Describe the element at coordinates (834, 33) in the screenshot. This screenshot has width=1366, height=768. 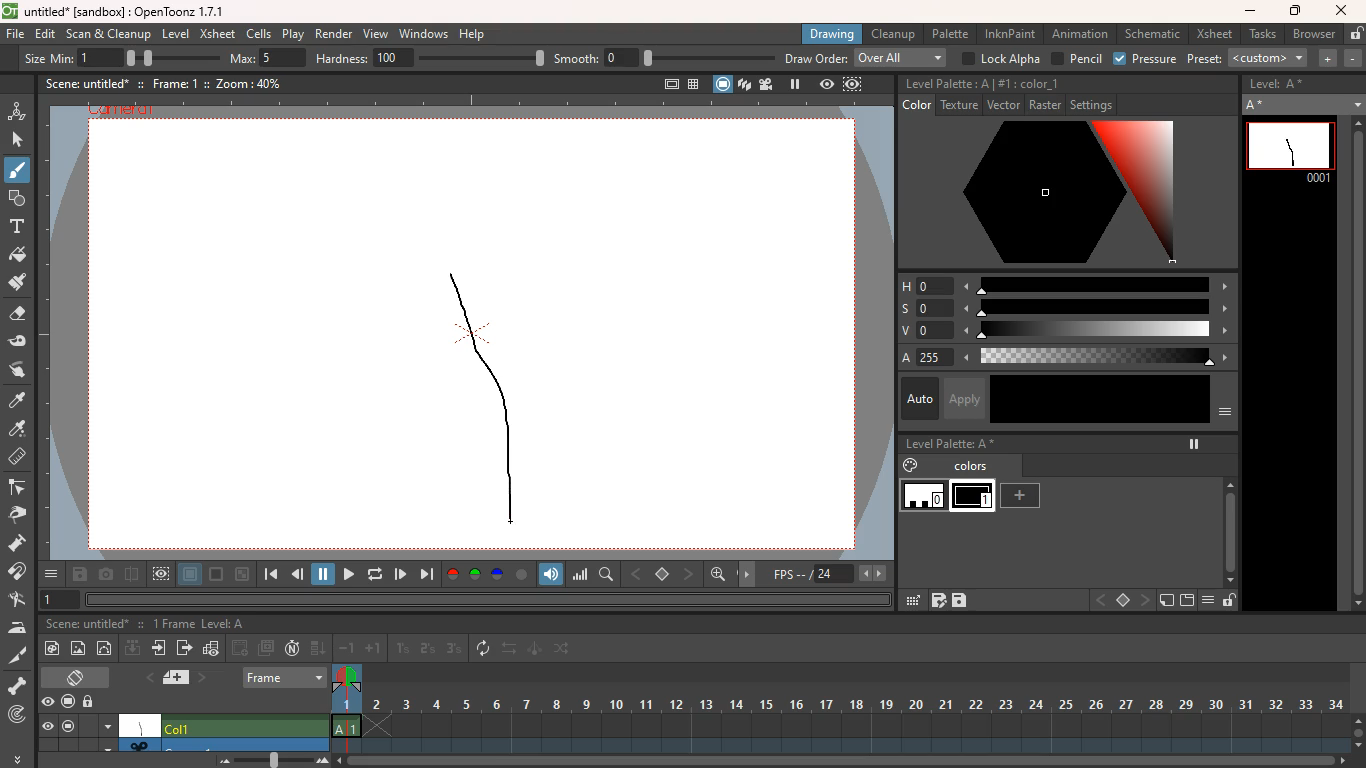
I see `drawing` at that location.